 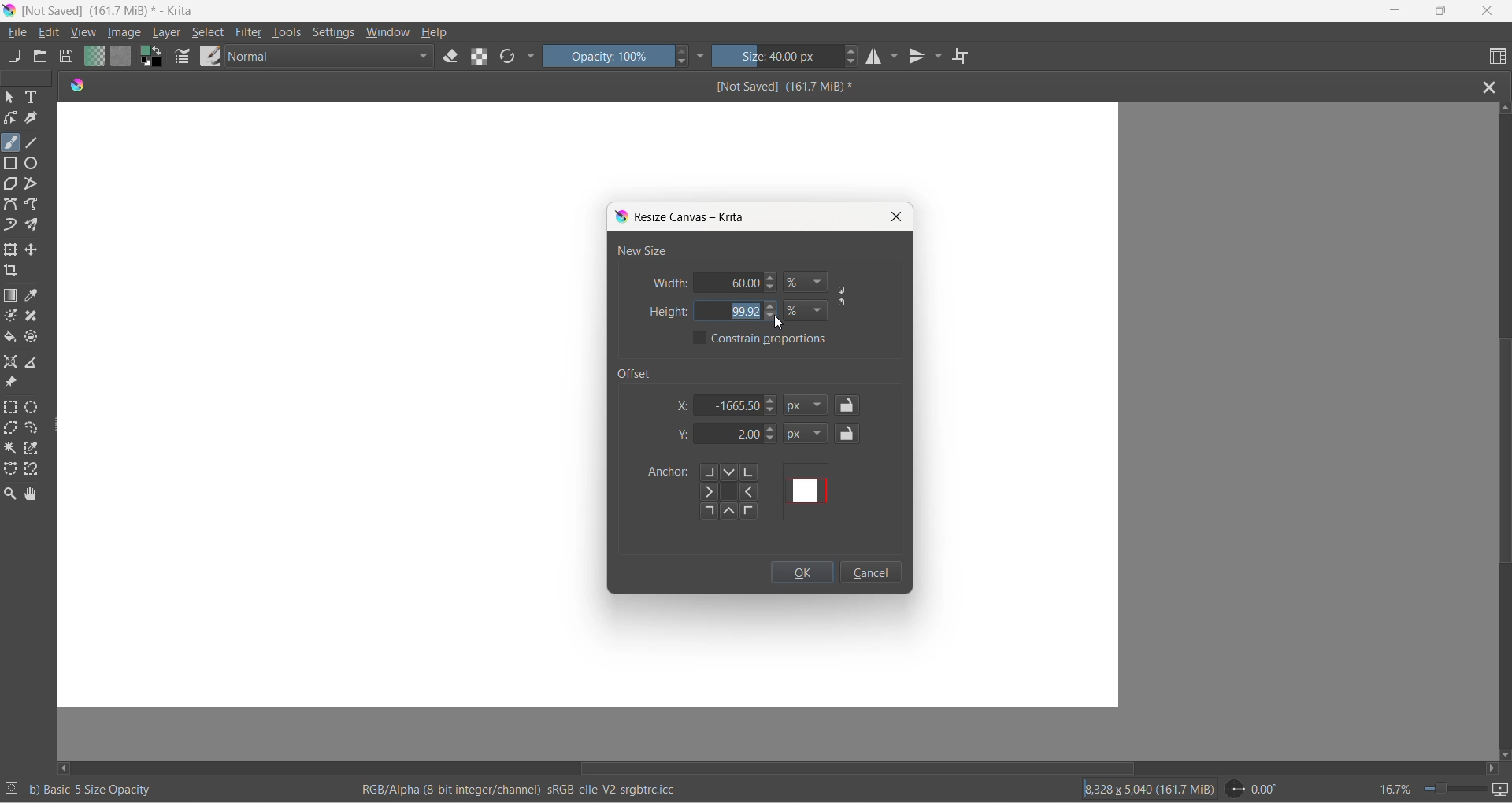 What do you see at coordinates (10, 118) in the screenshot?
I see `edit shape tool` at bounding box center [10, 118].